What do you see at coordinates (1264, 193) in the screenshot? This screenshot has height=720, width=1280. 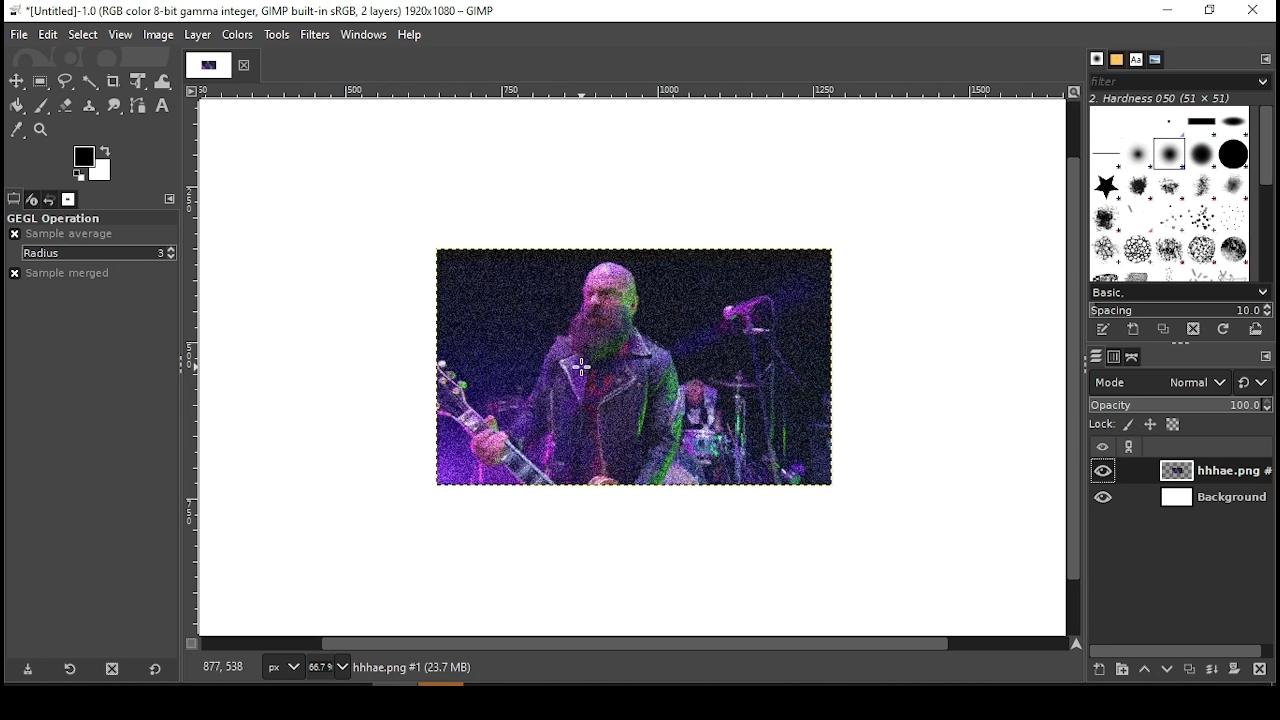 I see `scroll bar` at bounding box center [1264, 193].